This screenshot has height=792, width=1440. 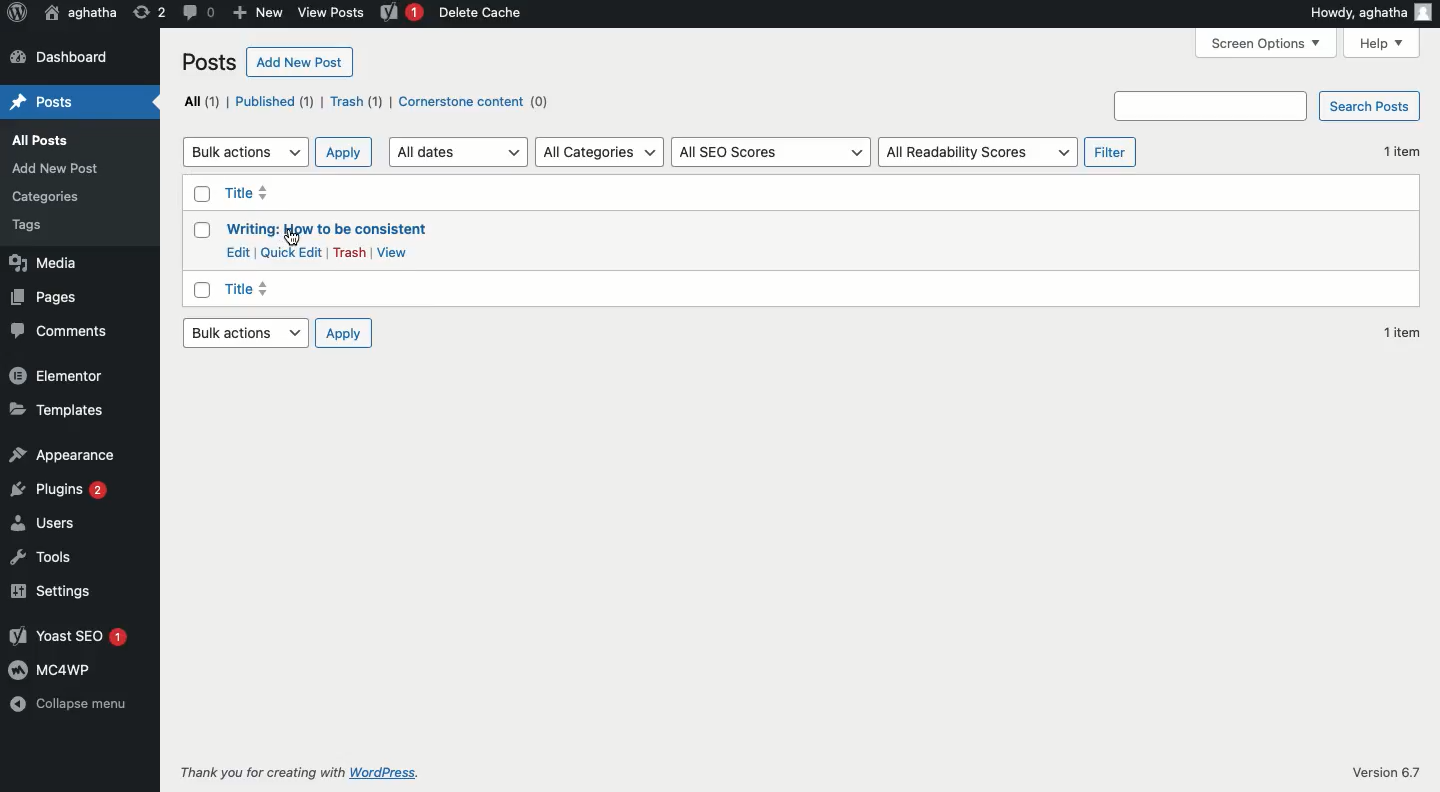 I want to click on Pages, so click(x=46, y=297).